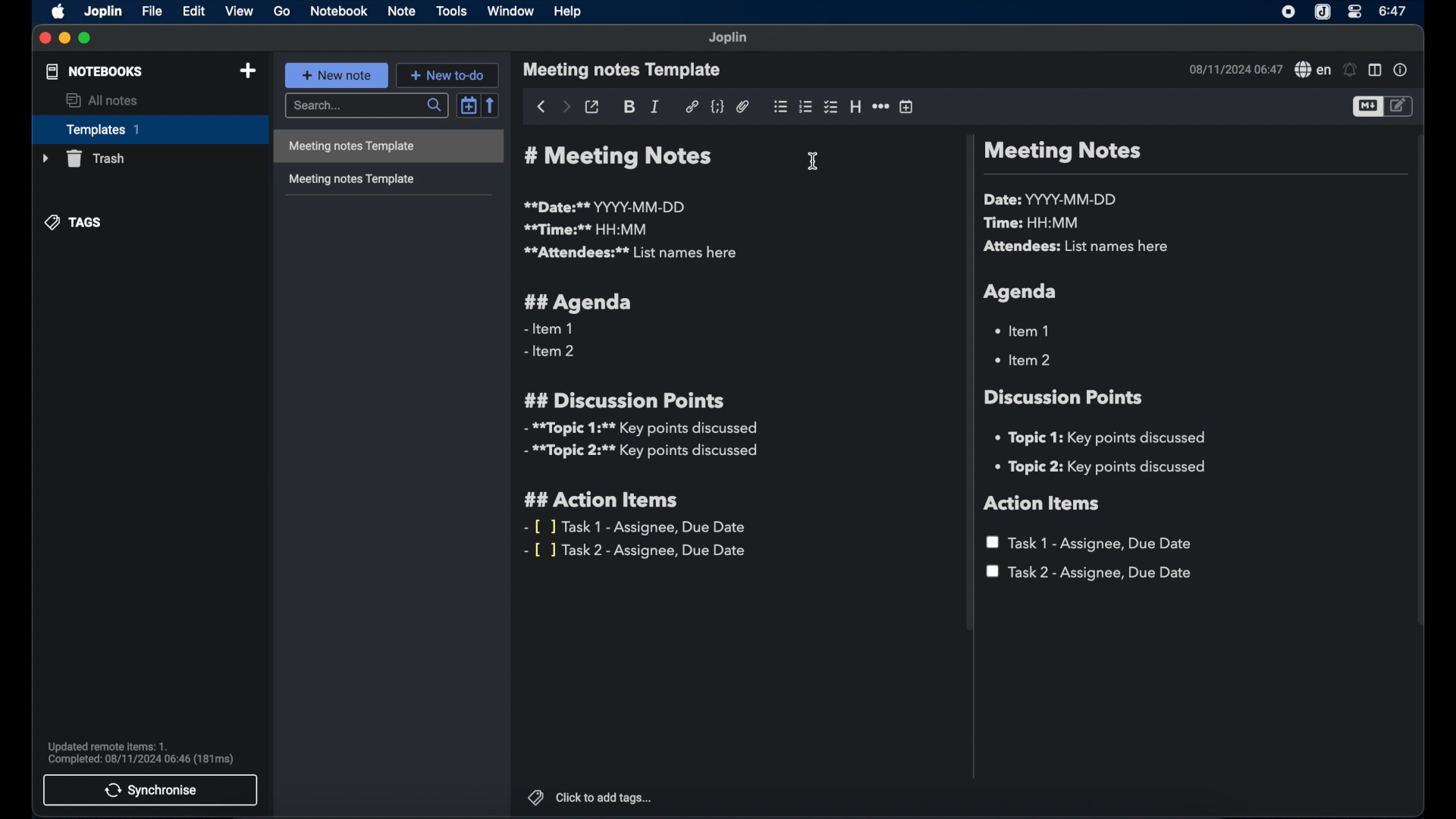 Image resolution: width=1456 pixels, height=819 pixels. What do you see at coordinates (638, 551) in the screenshot?
I see `- [ ] task 2 - assignee, due date` at bounding box center [638, 551].